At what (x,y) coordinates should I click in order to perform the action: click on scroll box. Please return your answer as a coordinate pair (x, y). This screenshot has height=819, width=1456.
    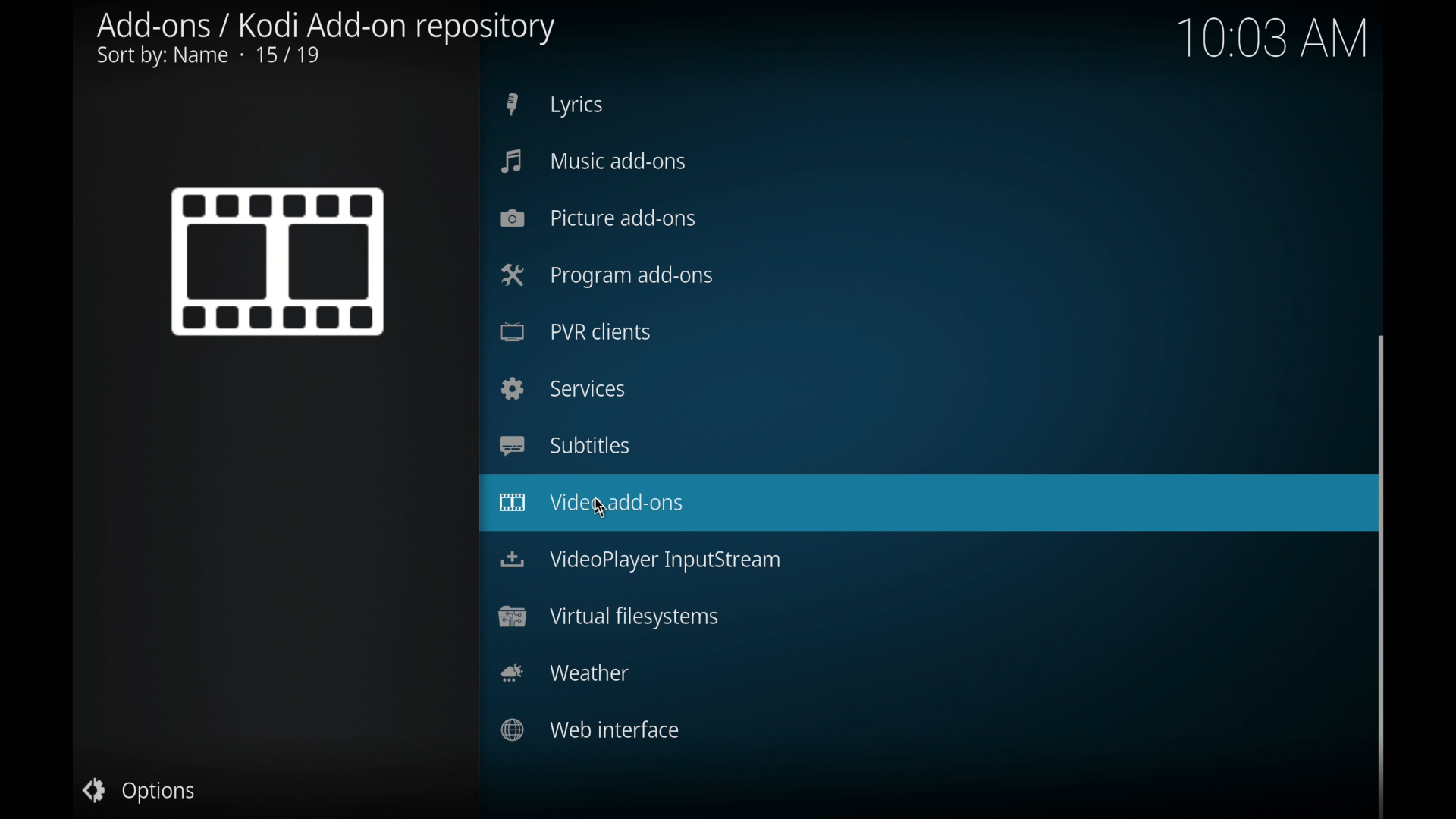
    Looking at the image, I should click on (1383, 573).